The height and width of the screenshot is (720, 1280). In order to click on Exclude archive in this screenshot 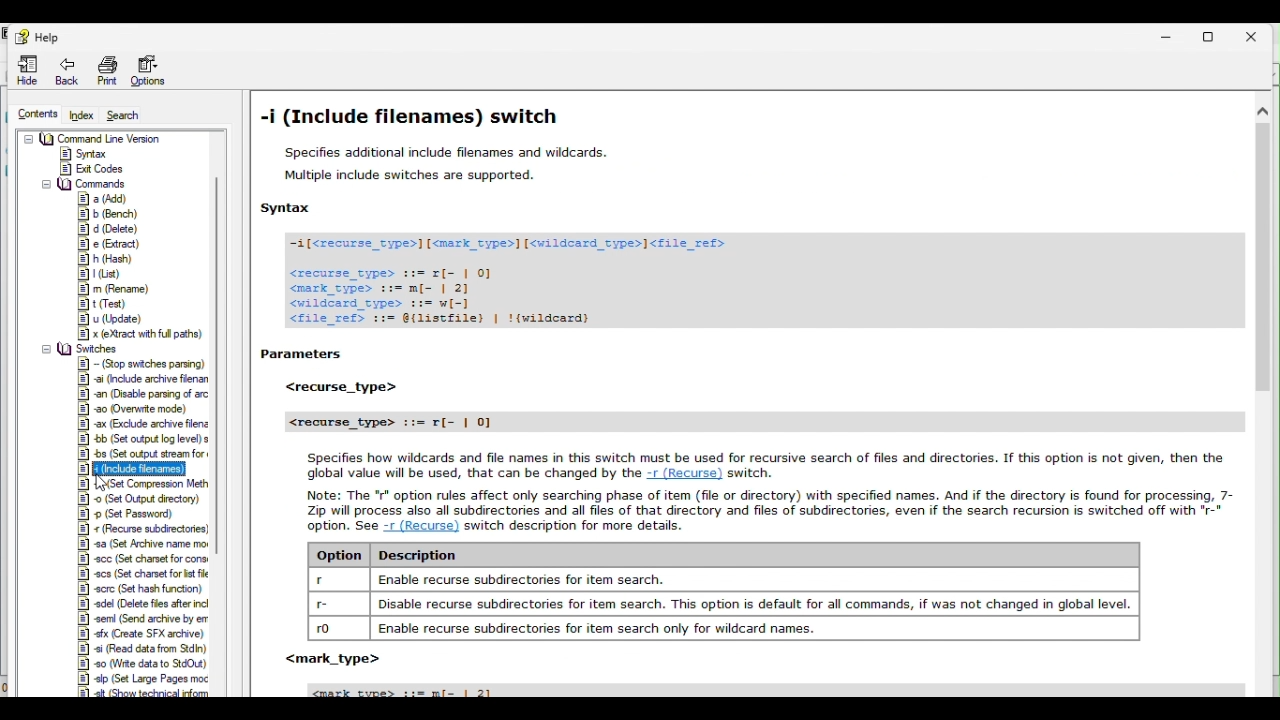, I will do `click(142, 425)`.